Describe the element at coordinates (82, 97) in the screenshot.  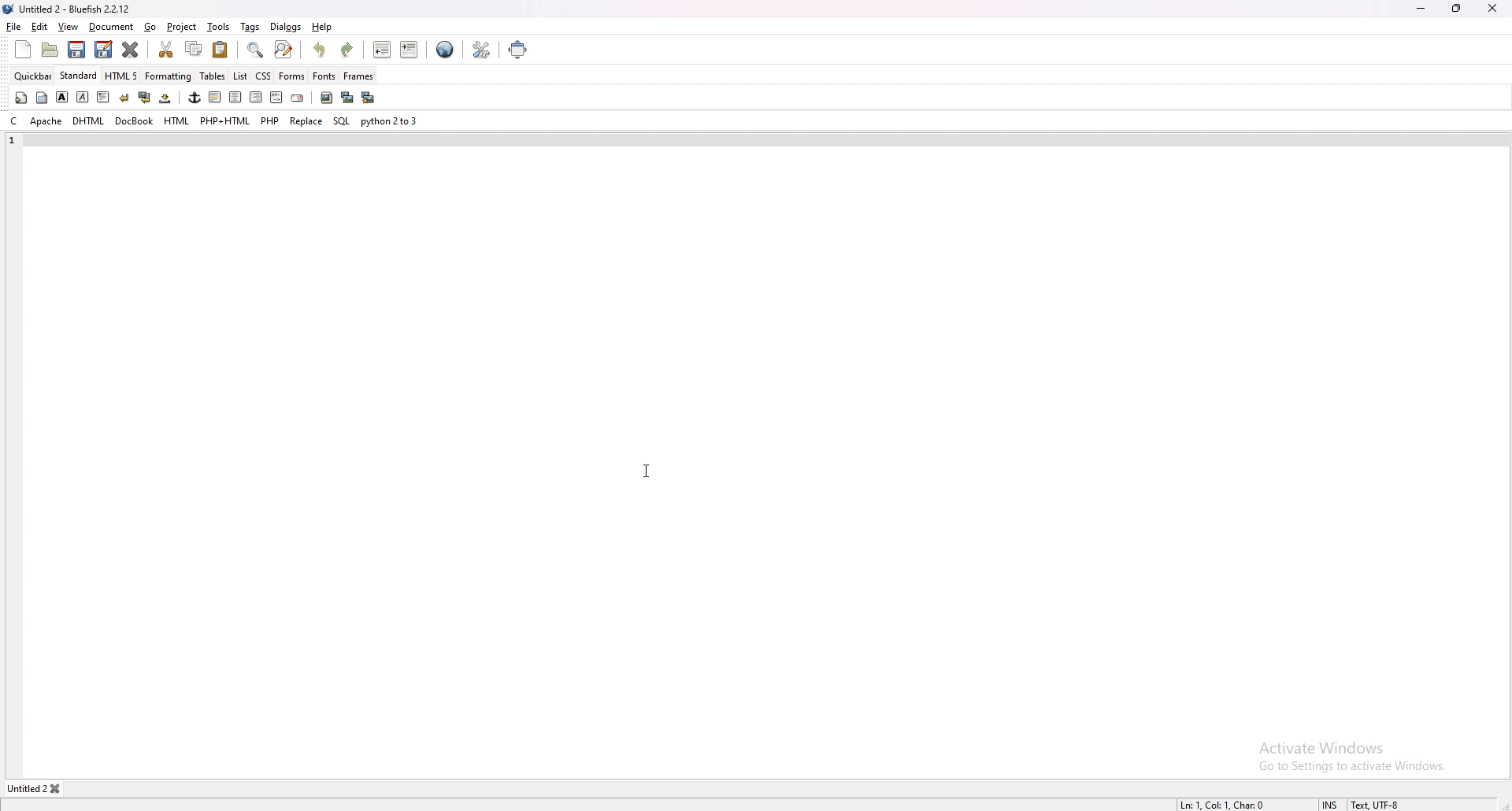
I see `italic` at that location.